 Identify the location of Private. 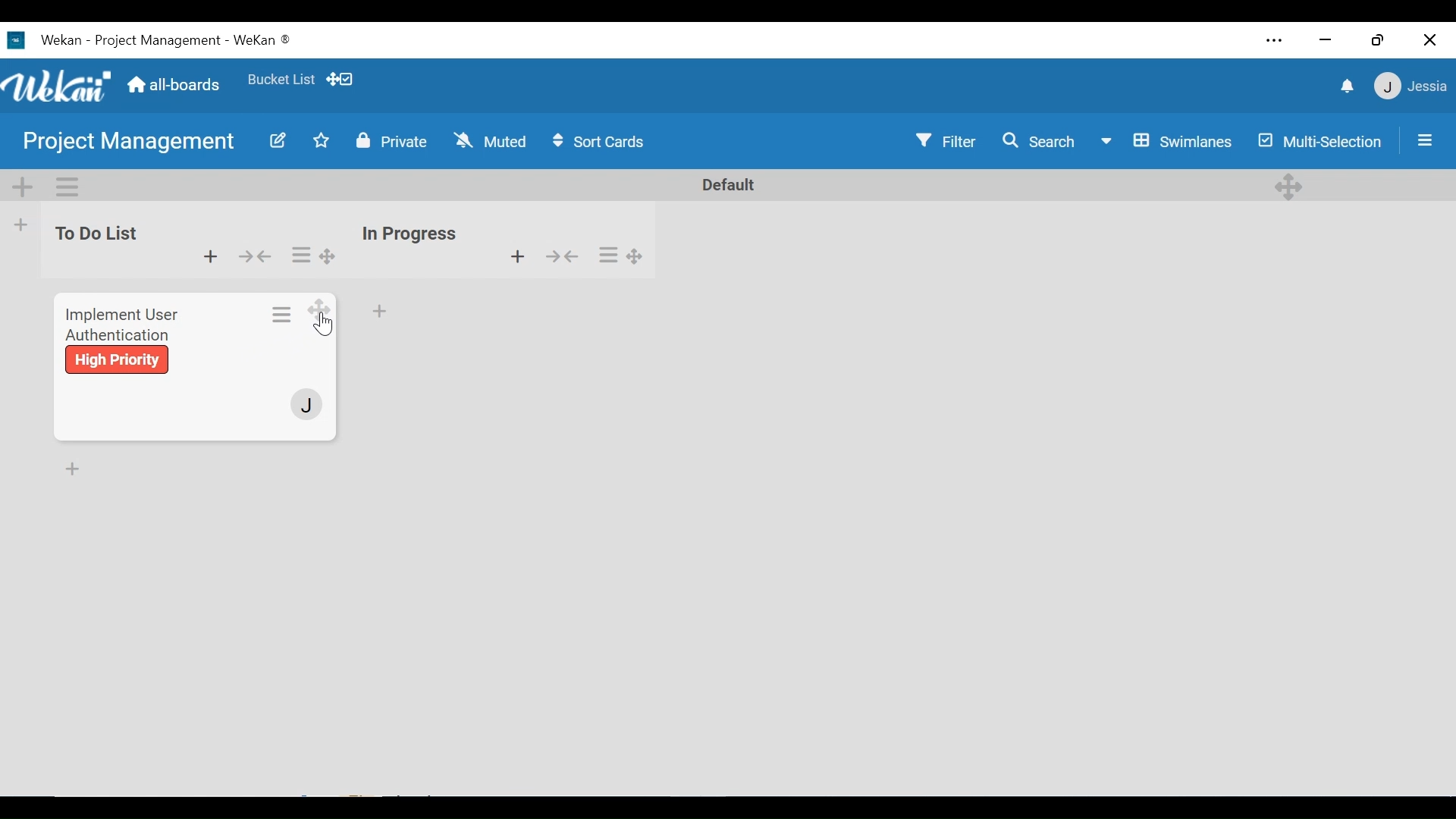
(392, 141).